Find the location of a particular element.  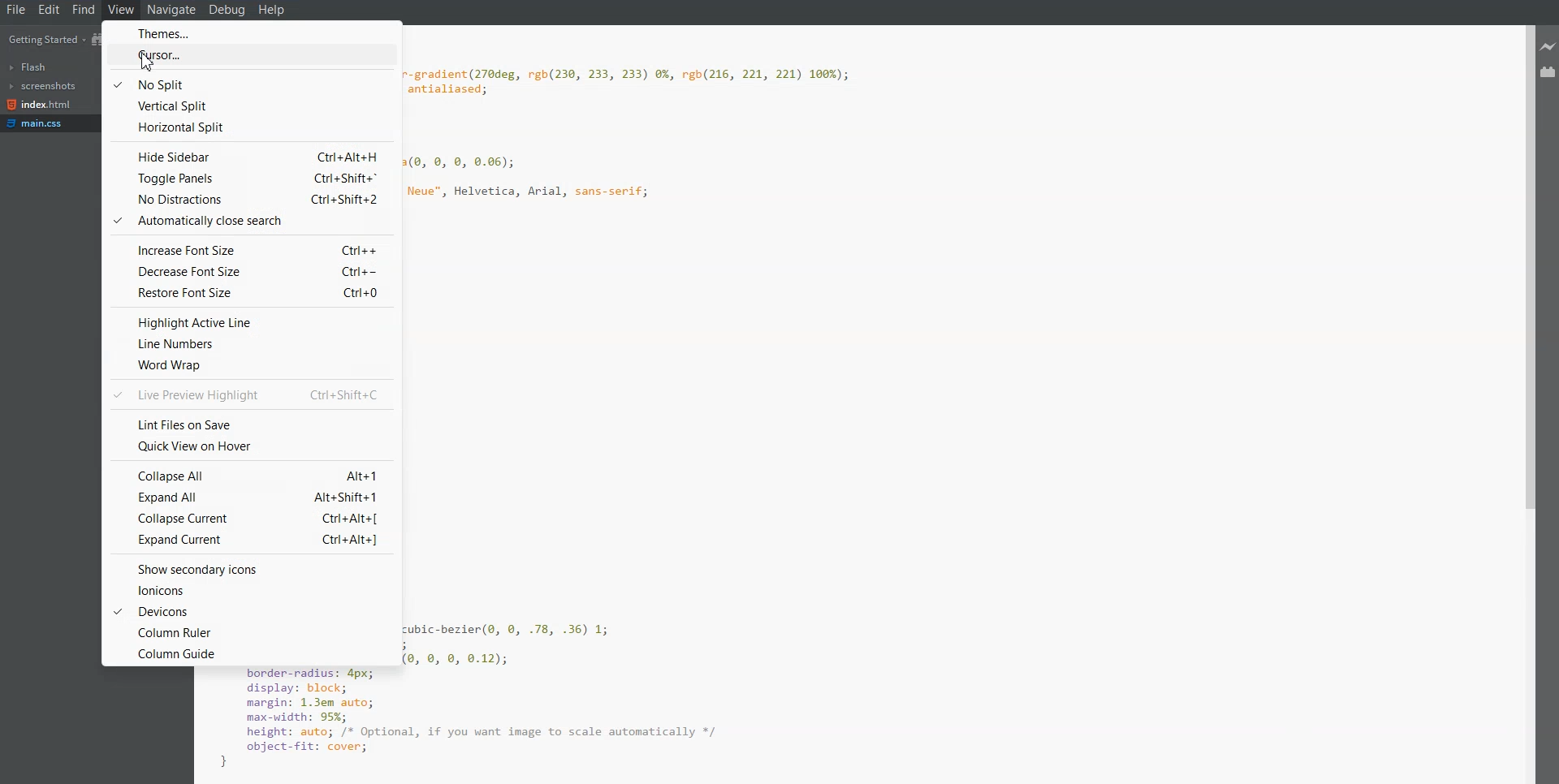

Expand All is located at coordinates (249, 497).